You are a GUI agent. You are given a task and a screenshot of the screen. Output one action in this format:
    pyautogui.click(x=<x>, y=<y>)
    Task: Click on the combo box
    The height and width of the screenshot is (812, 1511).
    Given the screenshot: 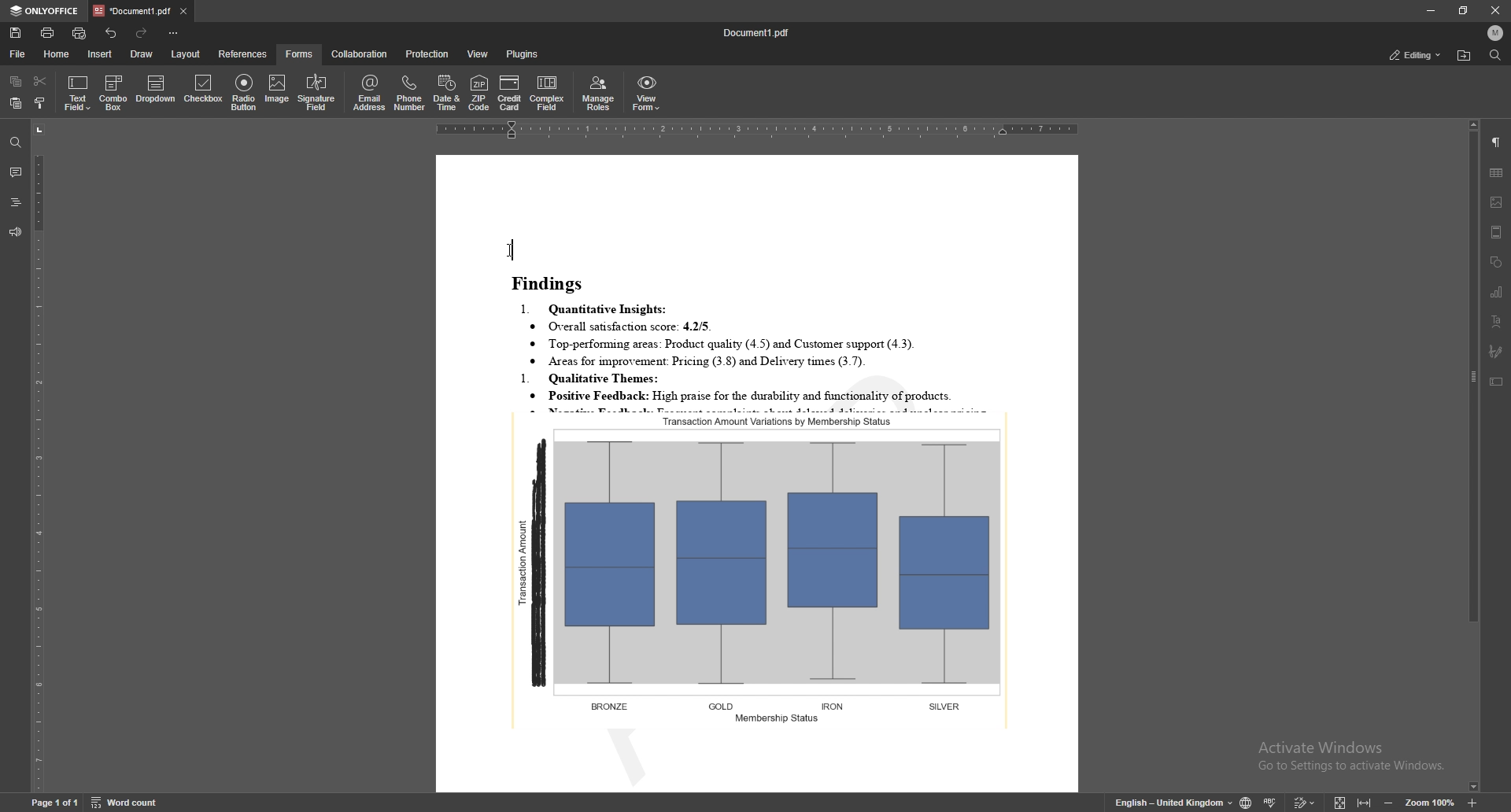 What is the action you would take?
    pyautogui.click(x=115, y=92)
    